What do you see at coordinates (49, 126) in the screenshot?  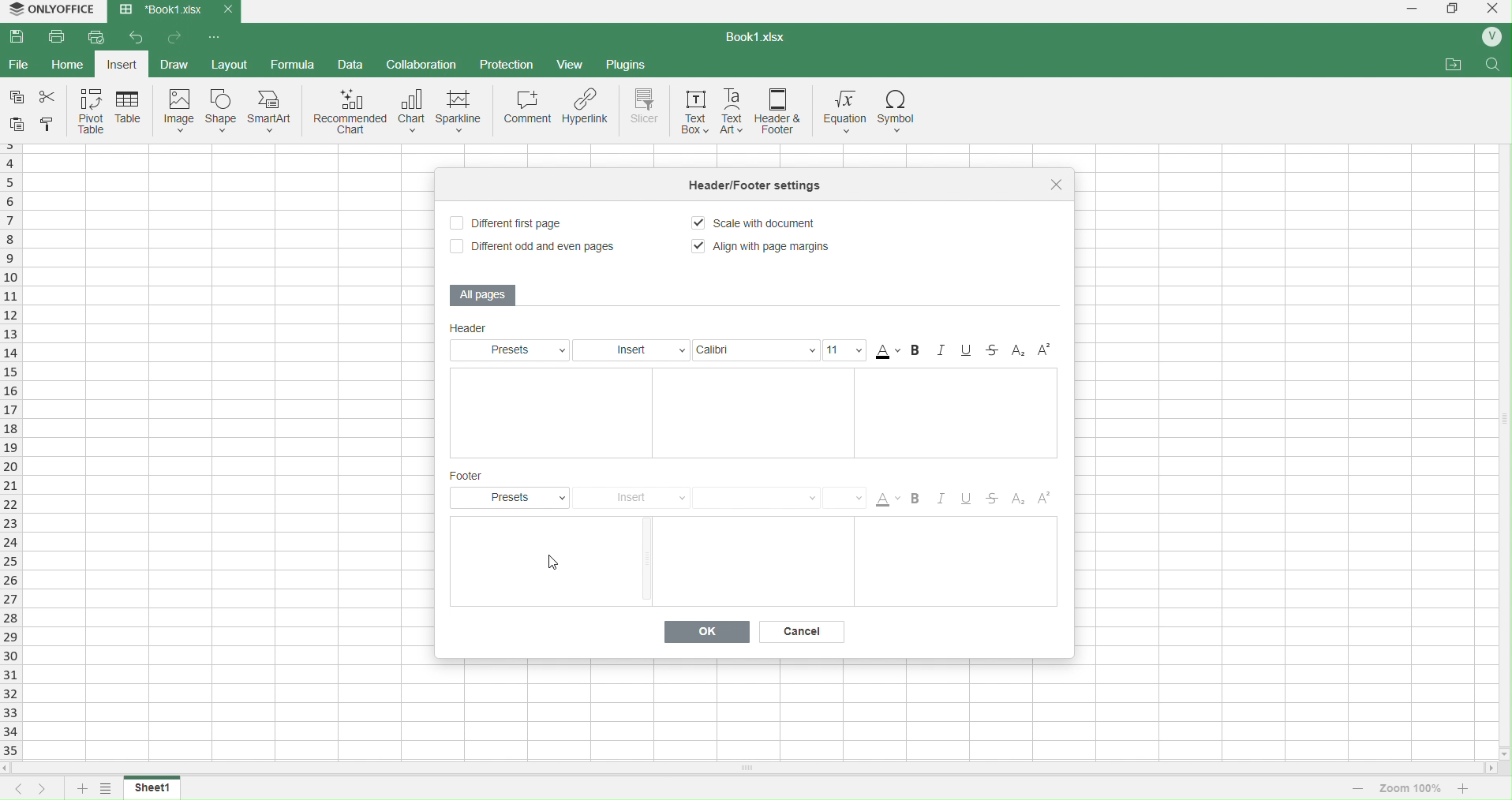 I see `cell color` at bounding box center [49, 126].